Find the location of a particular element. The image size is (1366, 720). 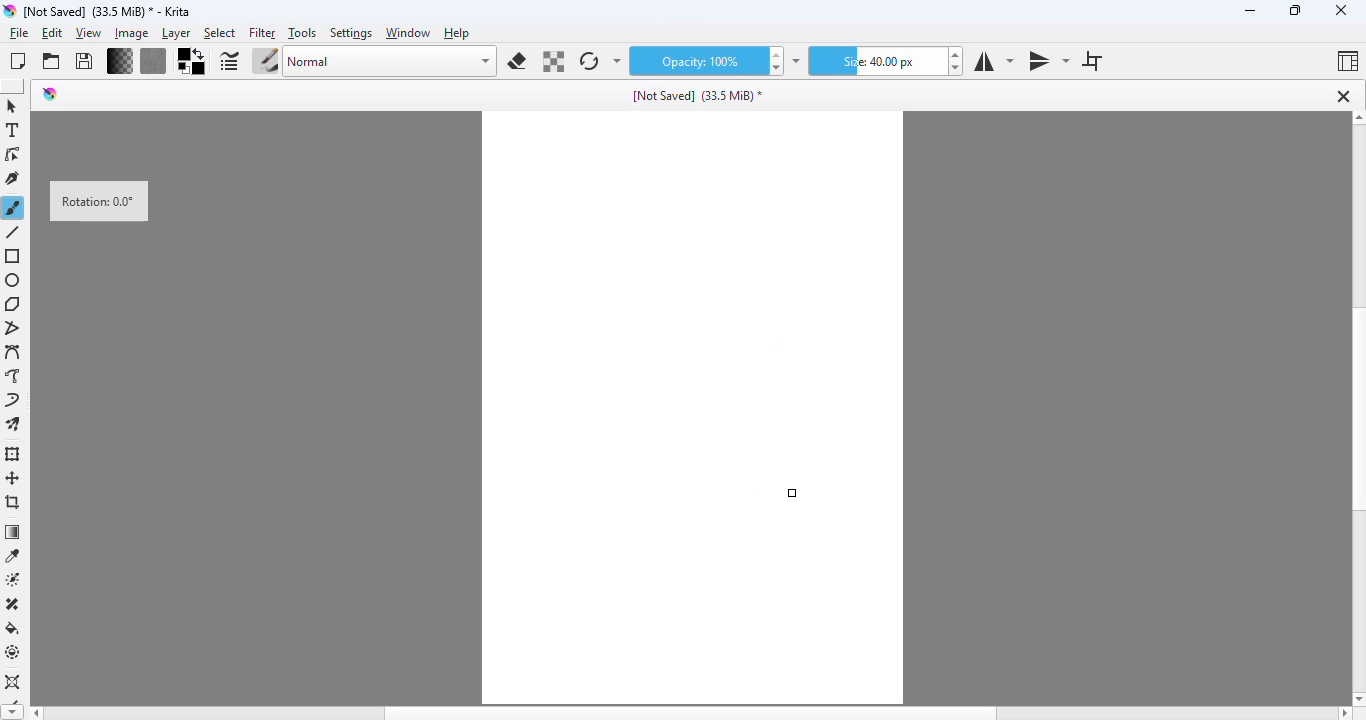

assistant tool is located at coordinates (13, 681).